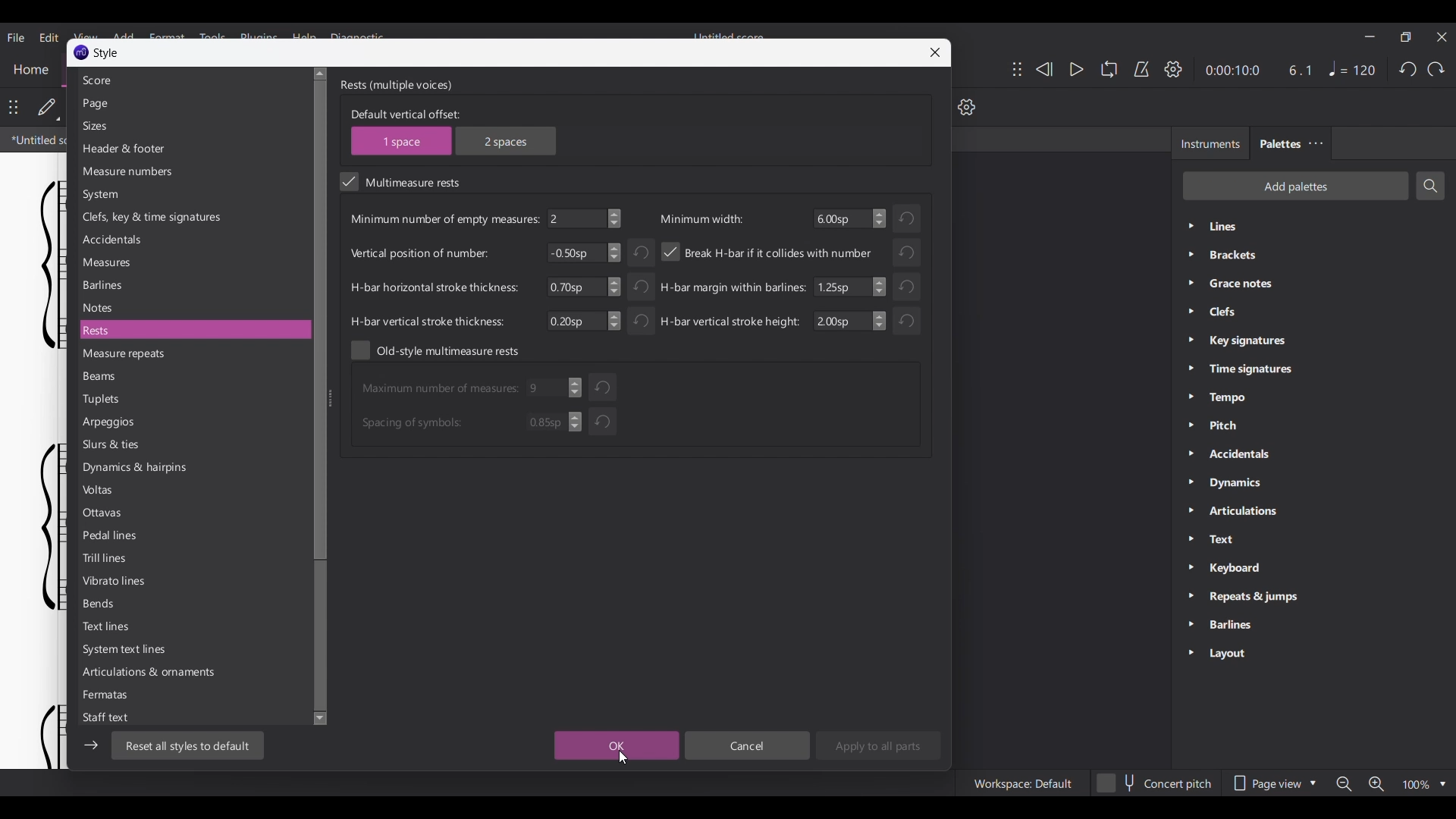 Image resolution: width=1456 pixels, height=819 pixels. What do you see at coordinates (973, 108) in the screenshot?
I see `settings` at bounding box center [973, 108].